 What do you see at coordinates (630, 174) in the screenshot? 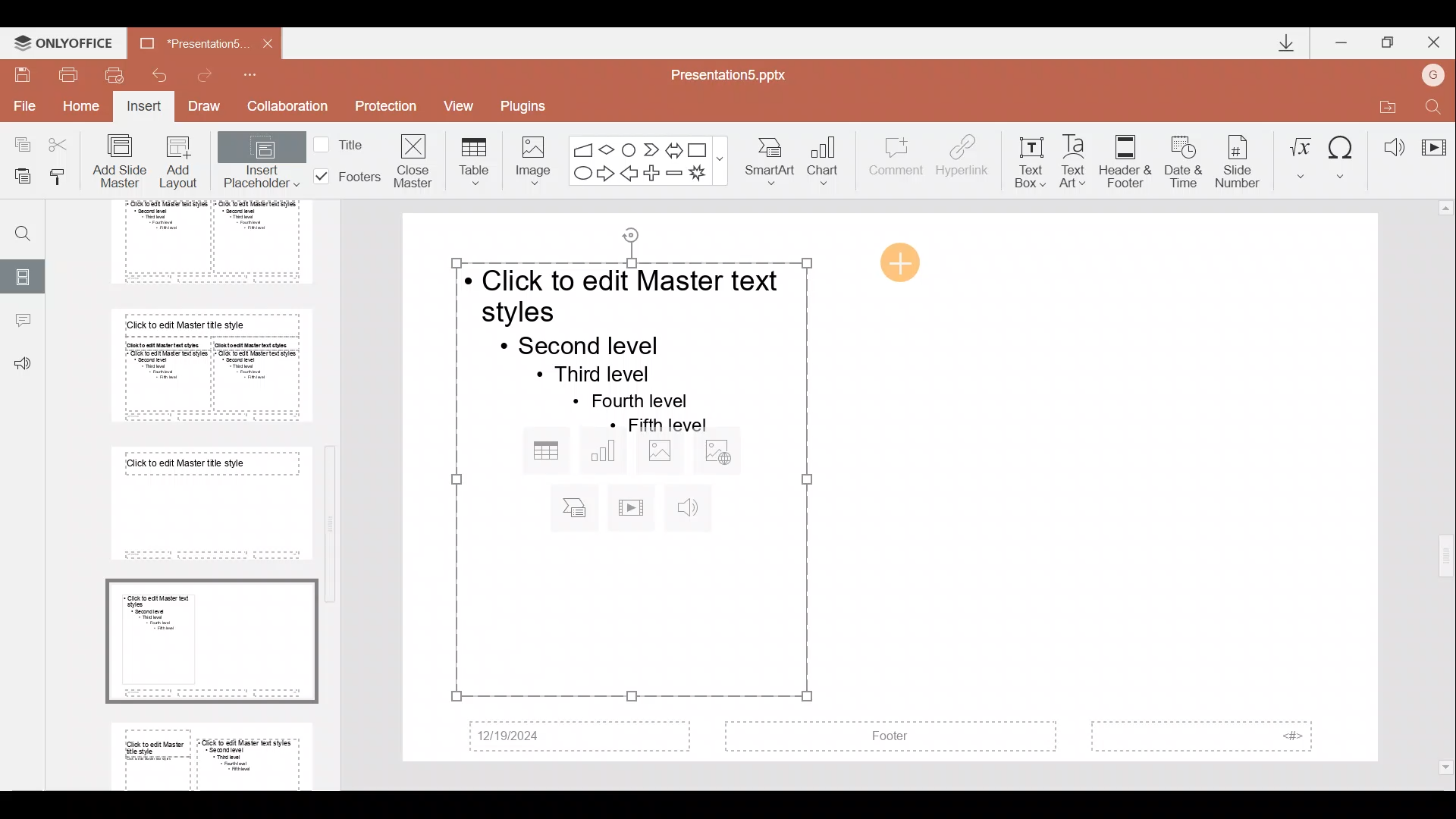
I see `Left arrow` at bounding box center [630, 174].